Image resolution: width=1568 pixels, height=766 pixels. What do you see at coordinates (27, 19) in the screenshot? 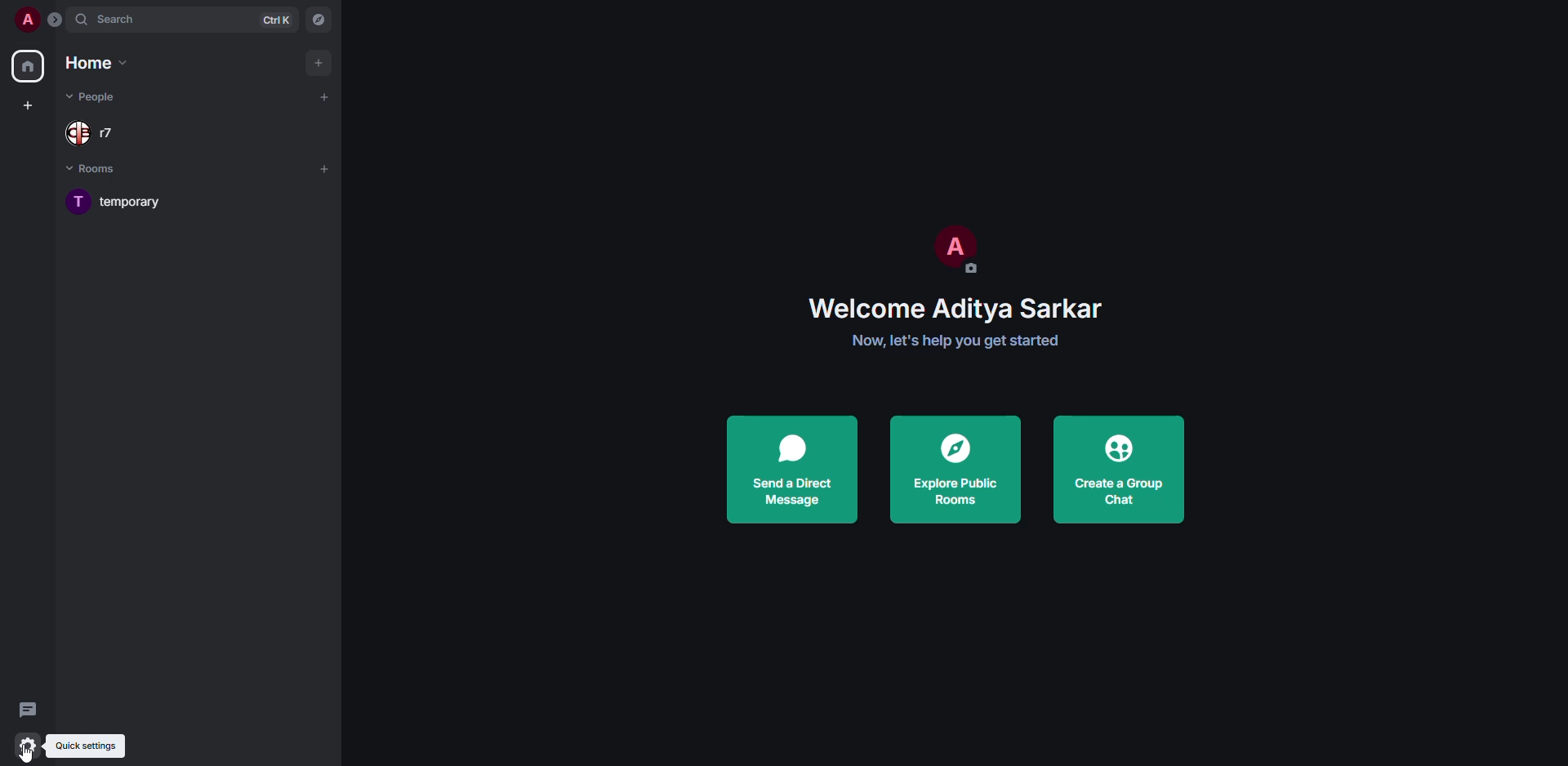
I see `profile` at bounding box center [27, 19].